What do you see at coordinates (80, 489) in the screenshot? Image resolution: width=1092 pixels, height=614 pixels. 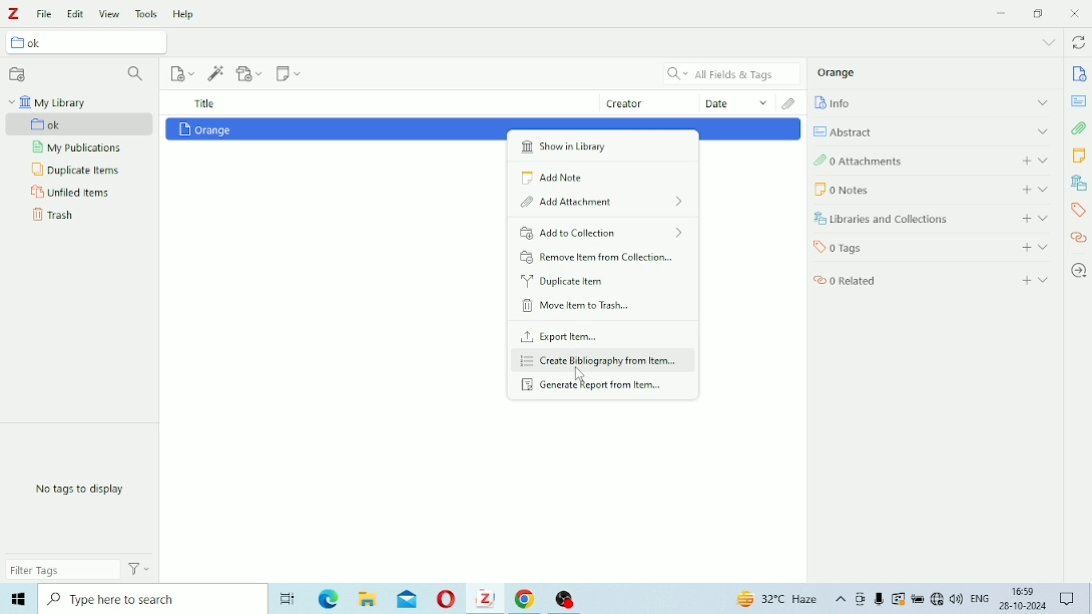 I see `No tags to display` at bounding box center [80, 489].